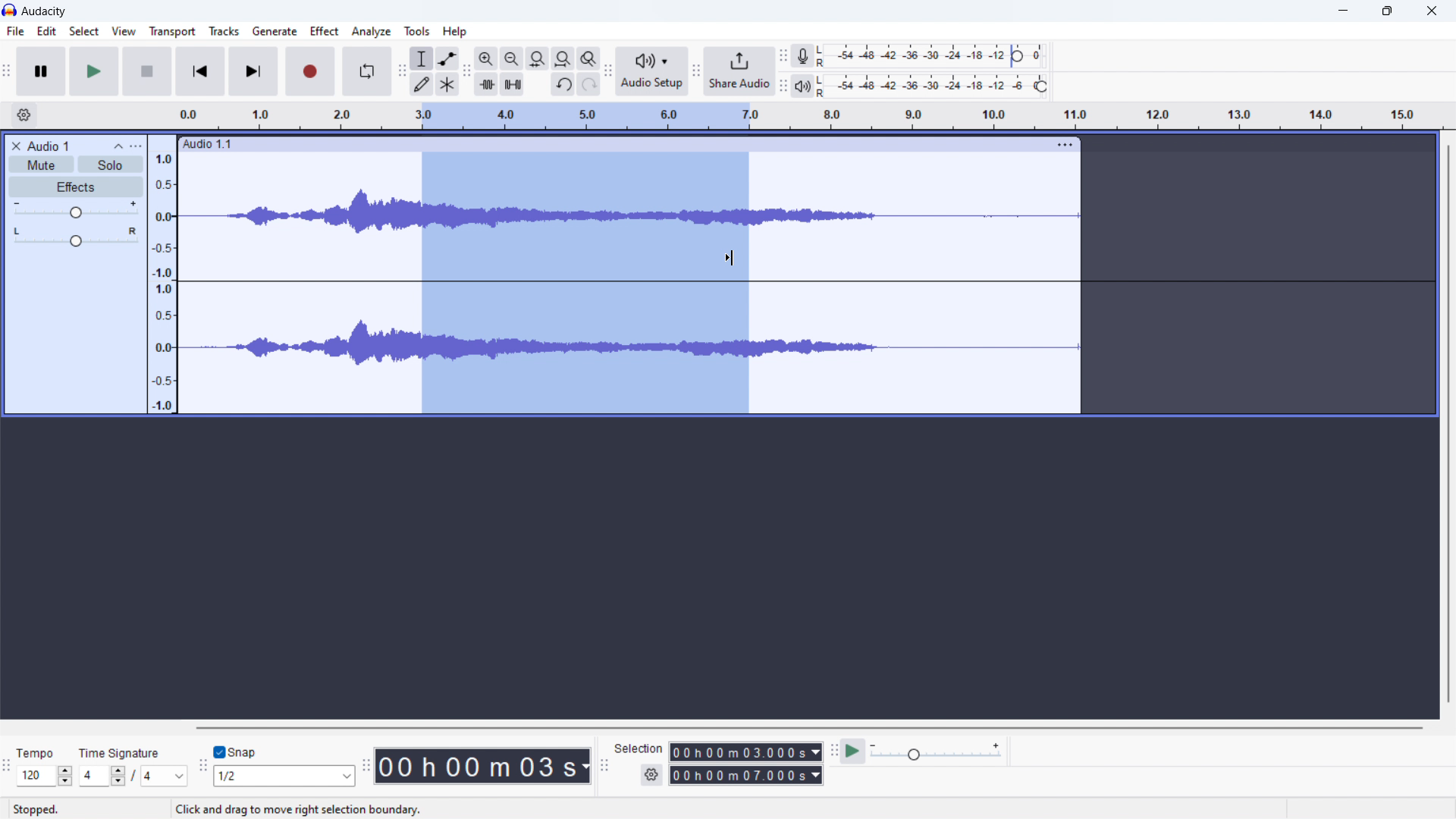  I want to click on playback speed, so click(935, 751).